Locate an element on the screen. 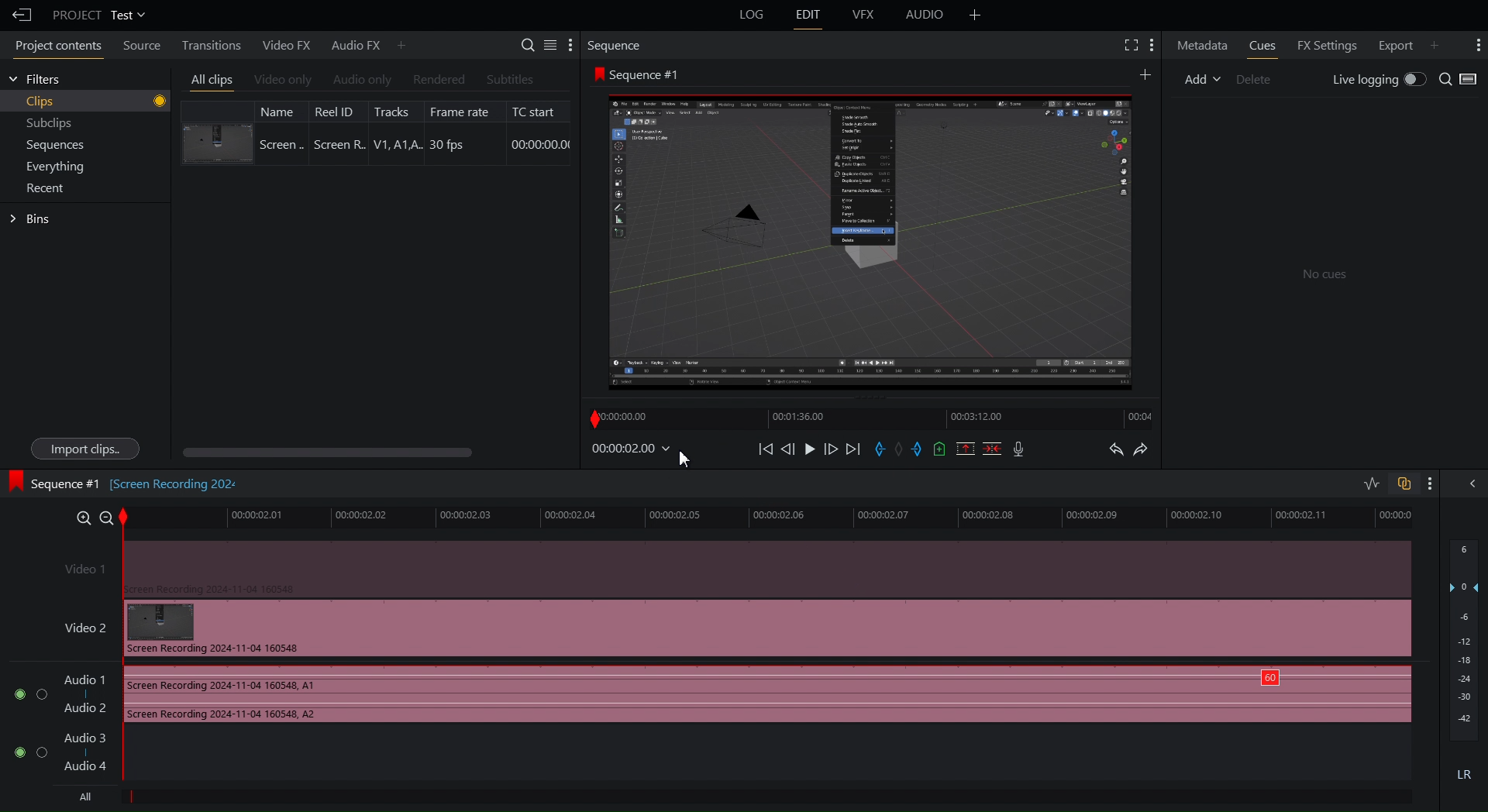  More is located at coordinates (1430, 483).